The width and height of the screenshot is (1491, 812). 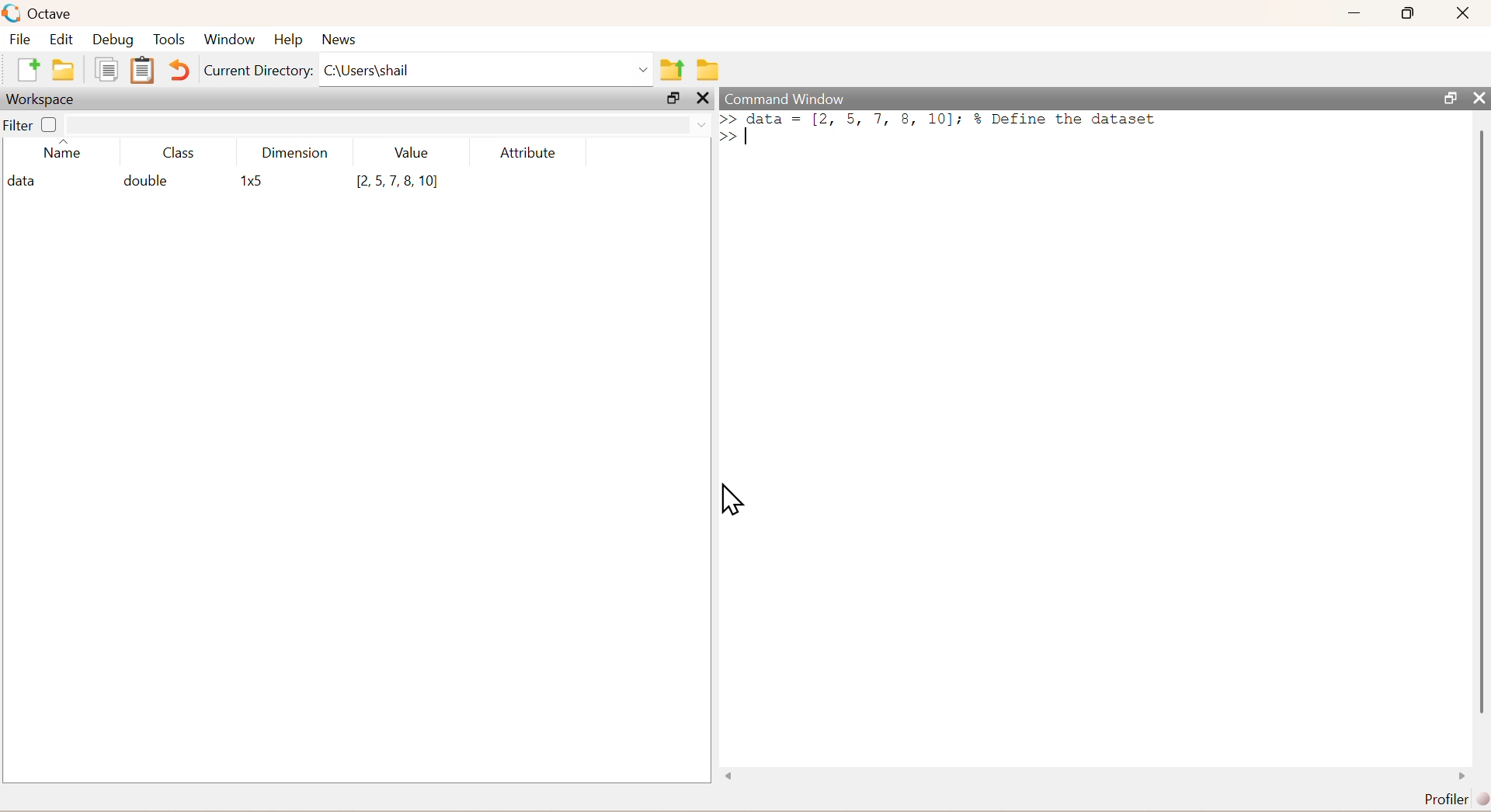 What do you see at coordinates (289, 40) in the screenshot?
I see `help` at bounding box center [289, 40].